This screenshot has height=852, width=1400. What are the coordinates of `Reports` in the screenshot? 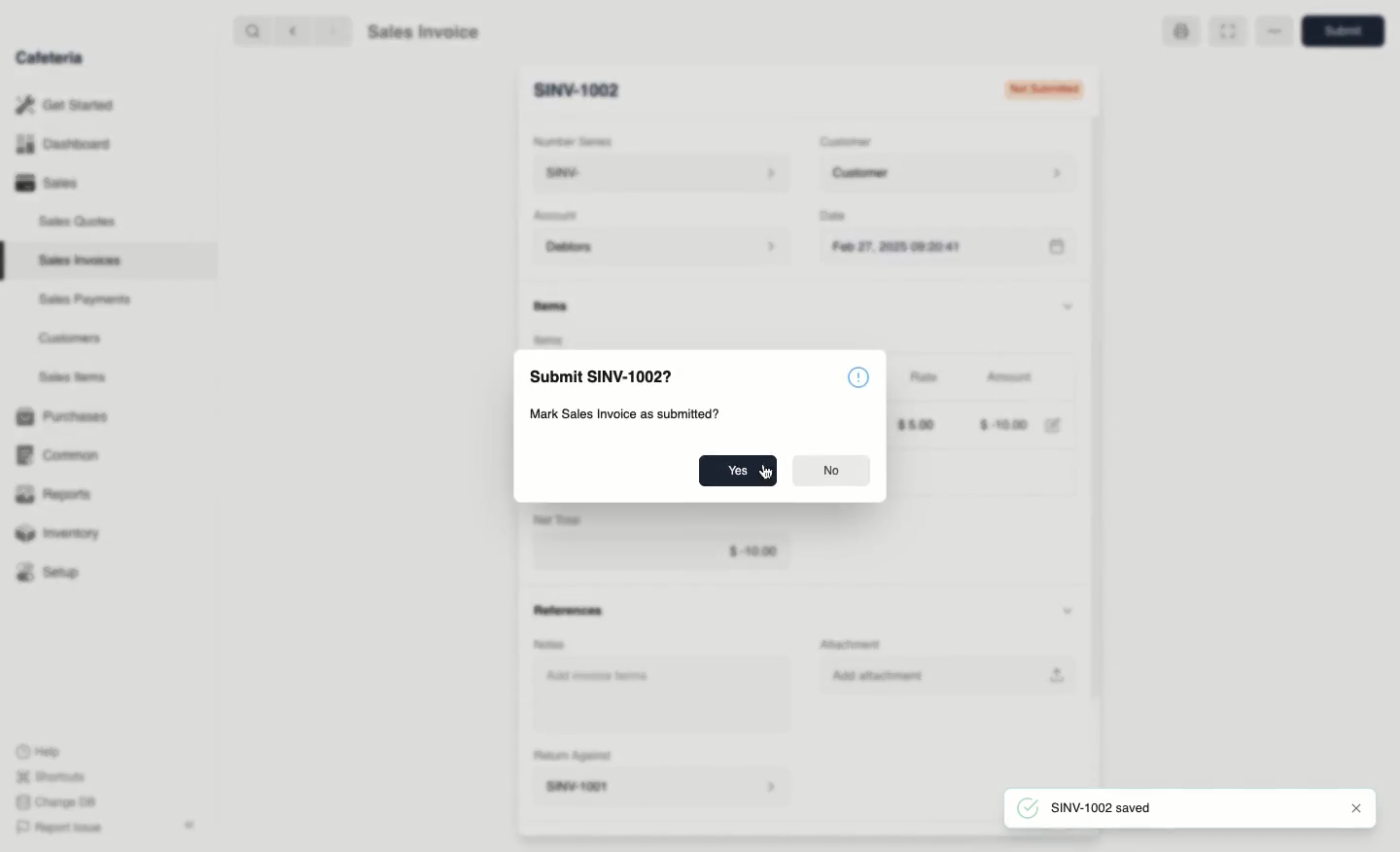 It's located at (53, 492).